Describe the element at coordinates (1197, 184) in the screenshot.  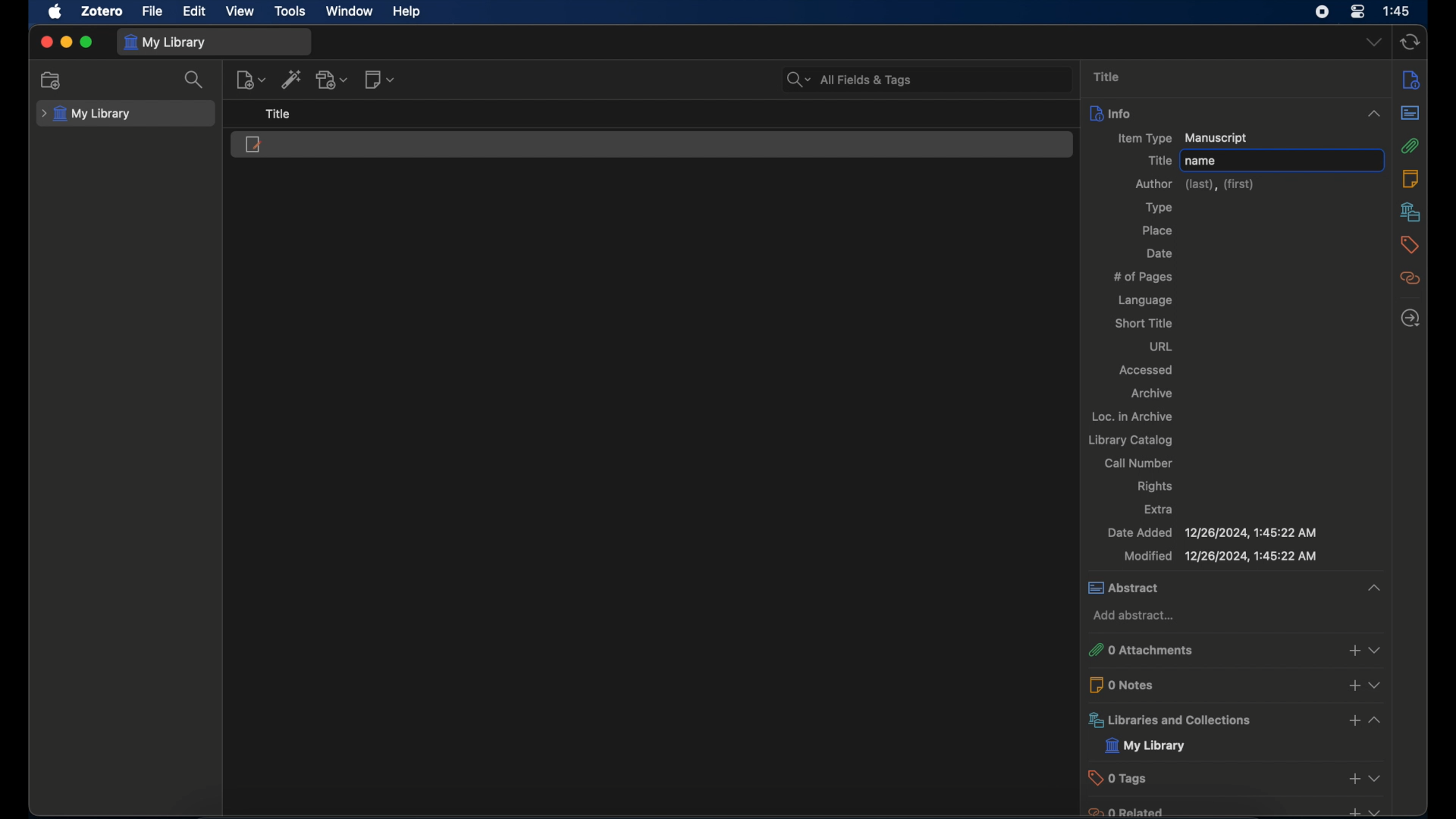
I see `author (last), (first)` at that location.